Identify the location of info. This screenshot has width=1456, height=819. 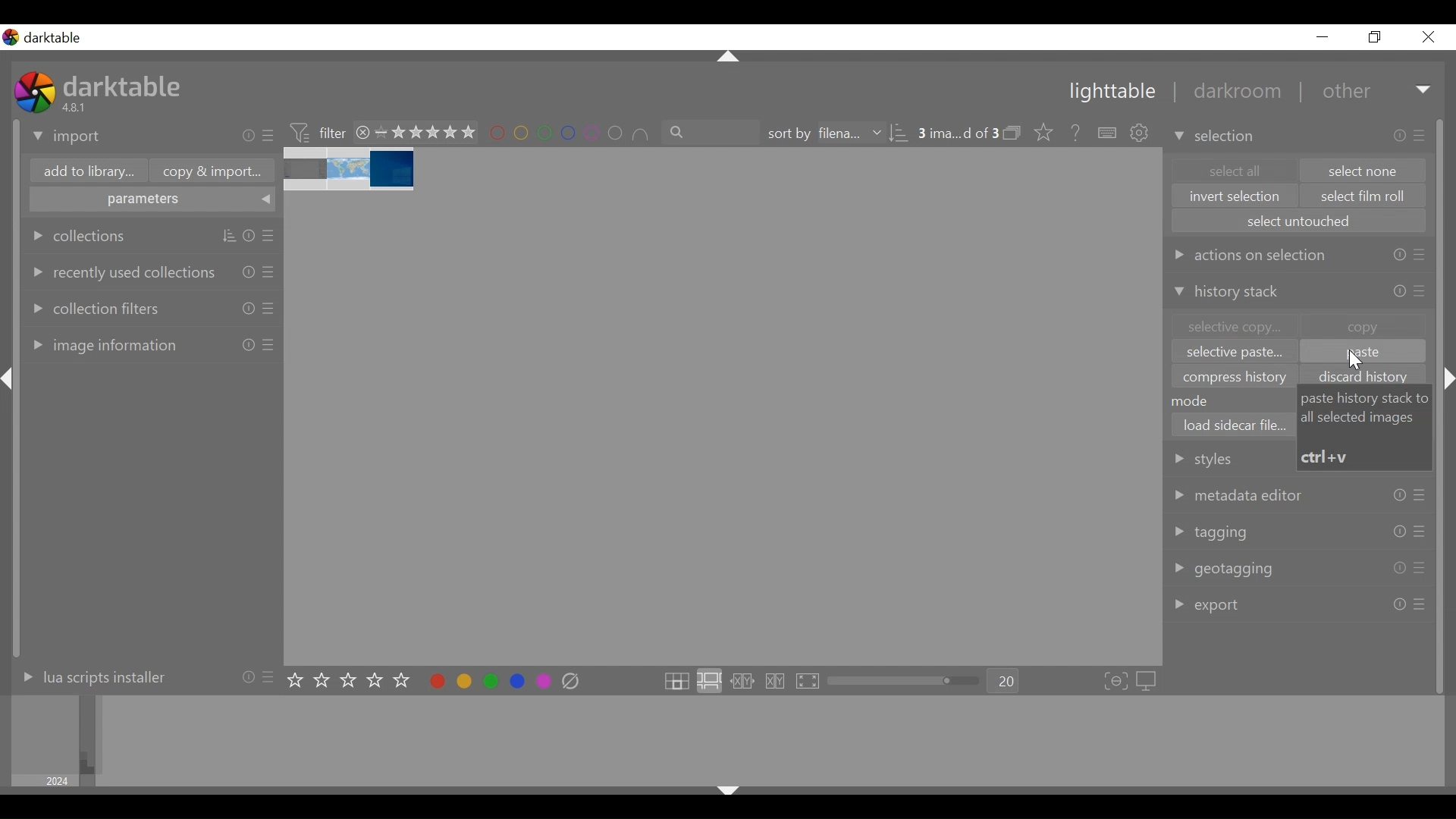
(1399, 496).